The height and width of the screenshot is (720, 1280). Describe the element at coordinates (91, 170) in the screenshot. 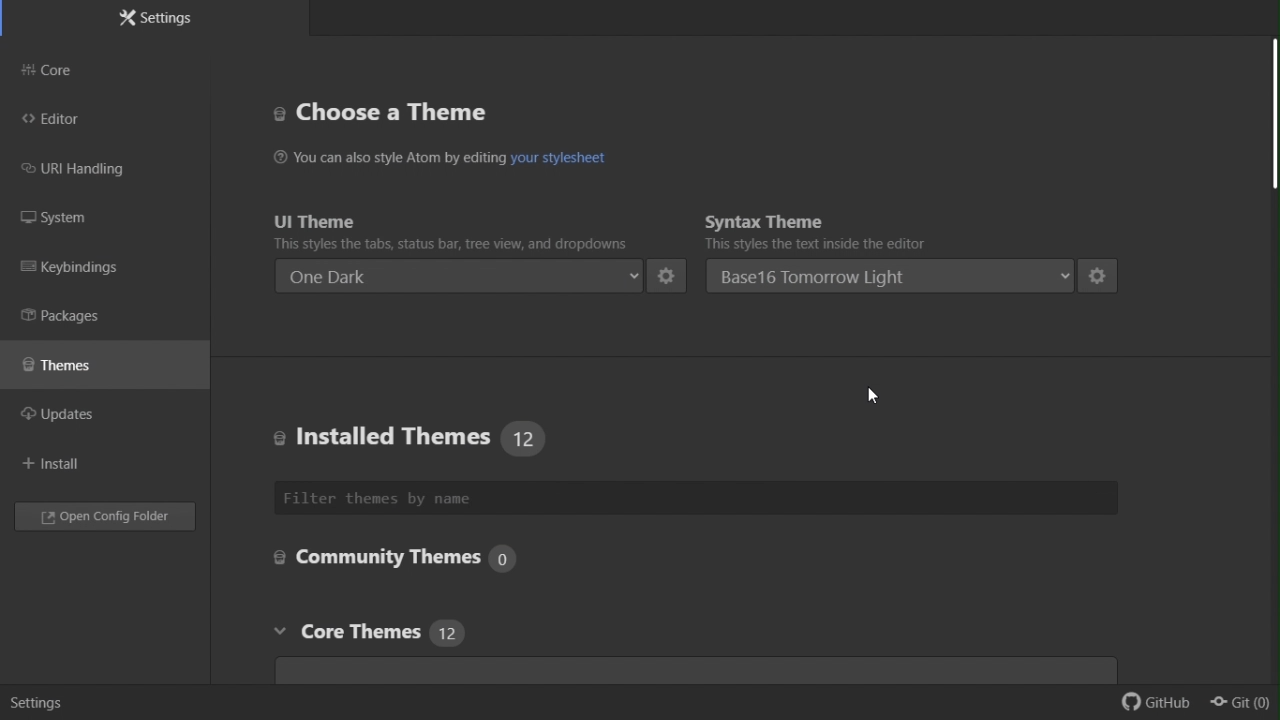

I see `URI handling` at that location.